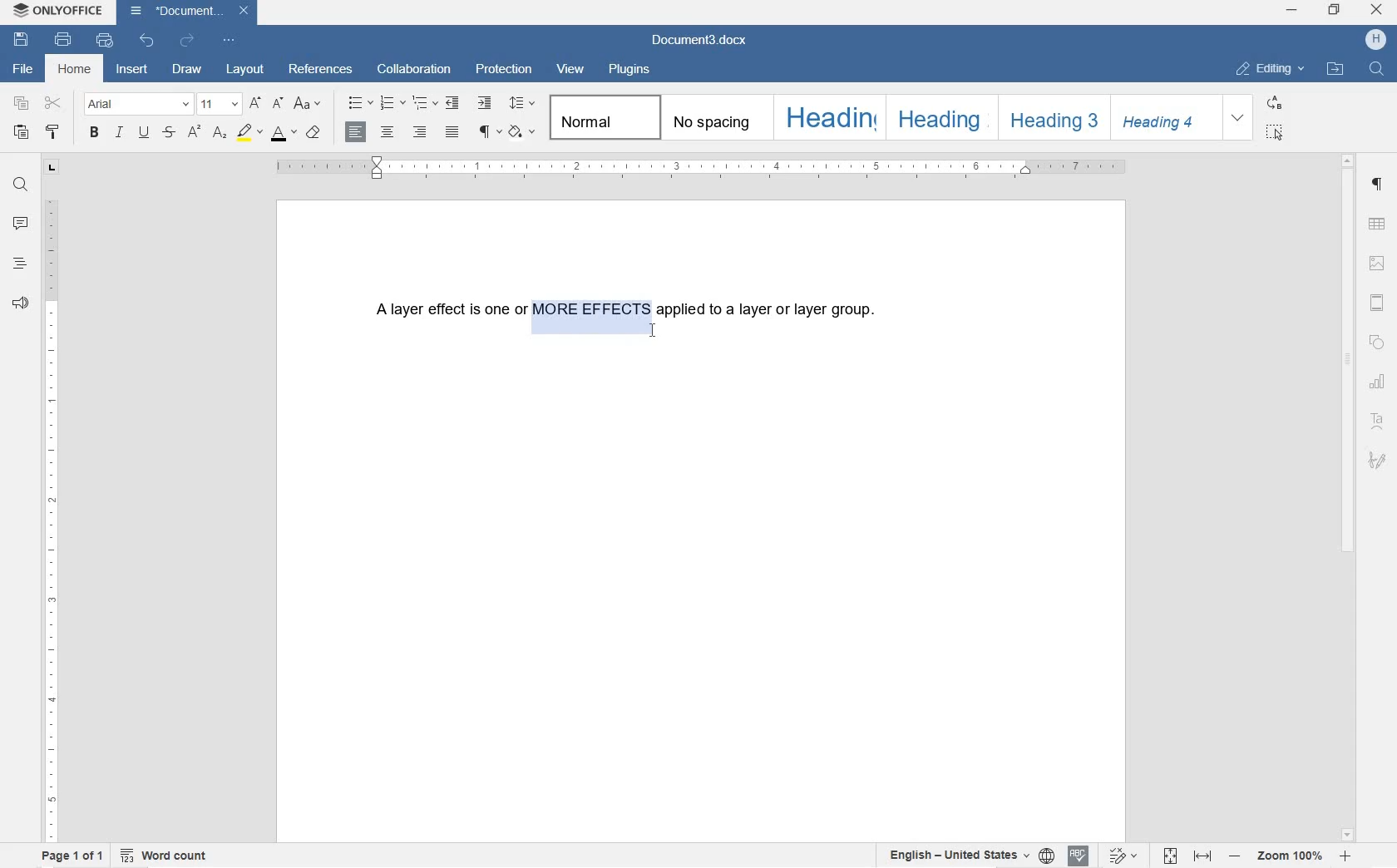 The width and height of the screenshot is (1397, 868). What do you see at coordinates (58, 8) in the screenshot?
I see `SYSTEM NAME` at bounding box center [58, 8].